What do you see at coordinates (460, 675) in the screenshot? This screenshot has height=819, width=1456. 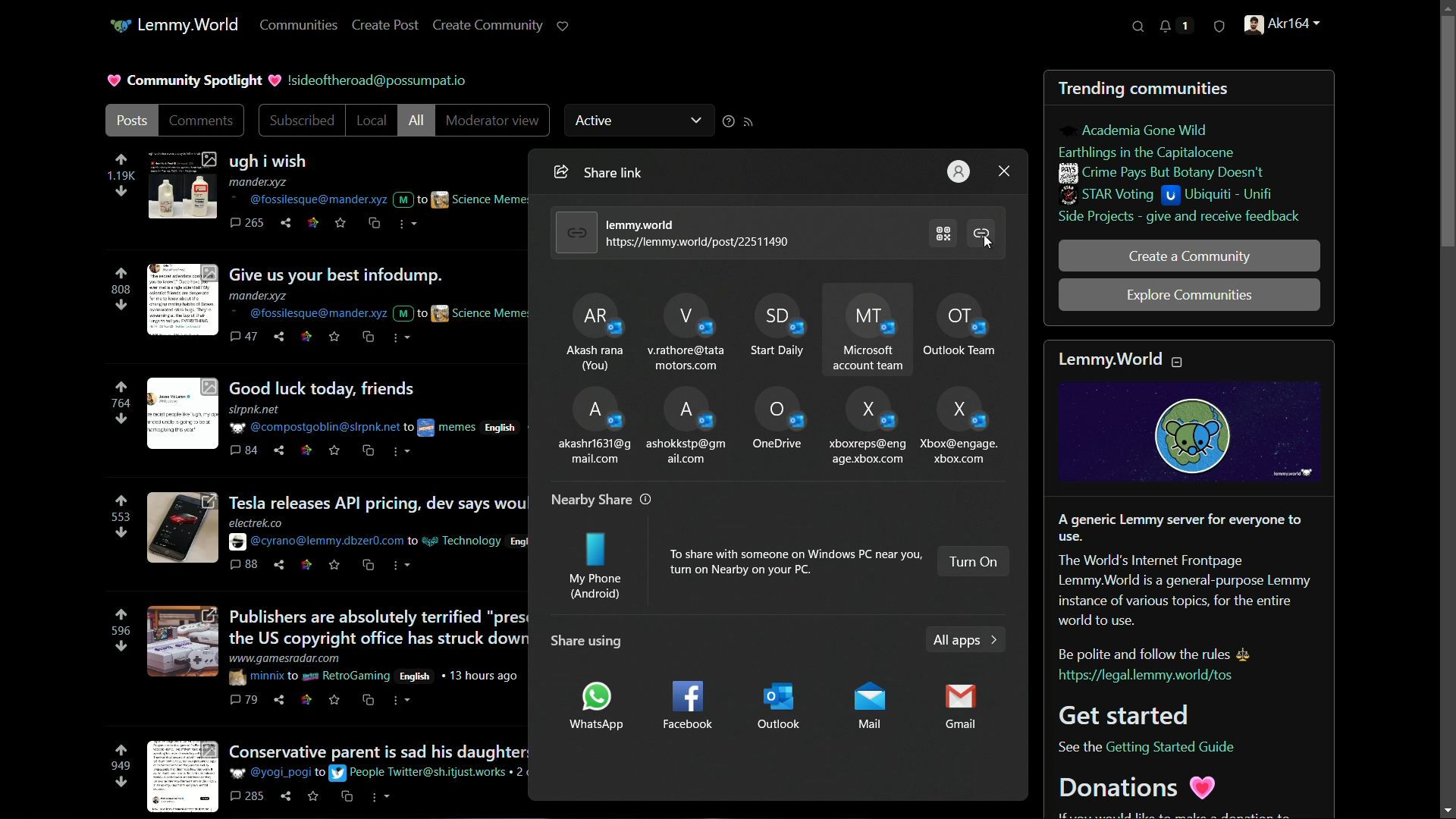 I see ` English  13 hours ago` at bounding box center [460, 675].